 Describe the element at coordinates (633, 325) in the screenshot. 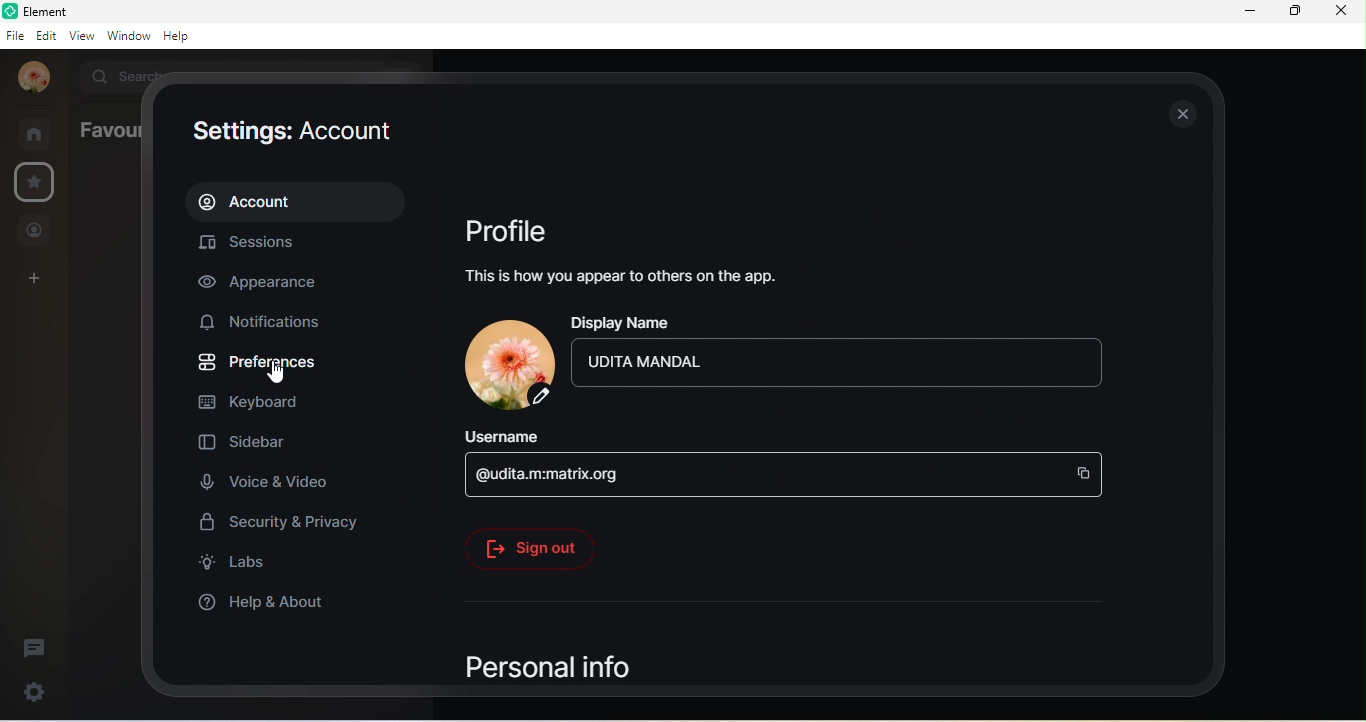

I see `display name` at that location.